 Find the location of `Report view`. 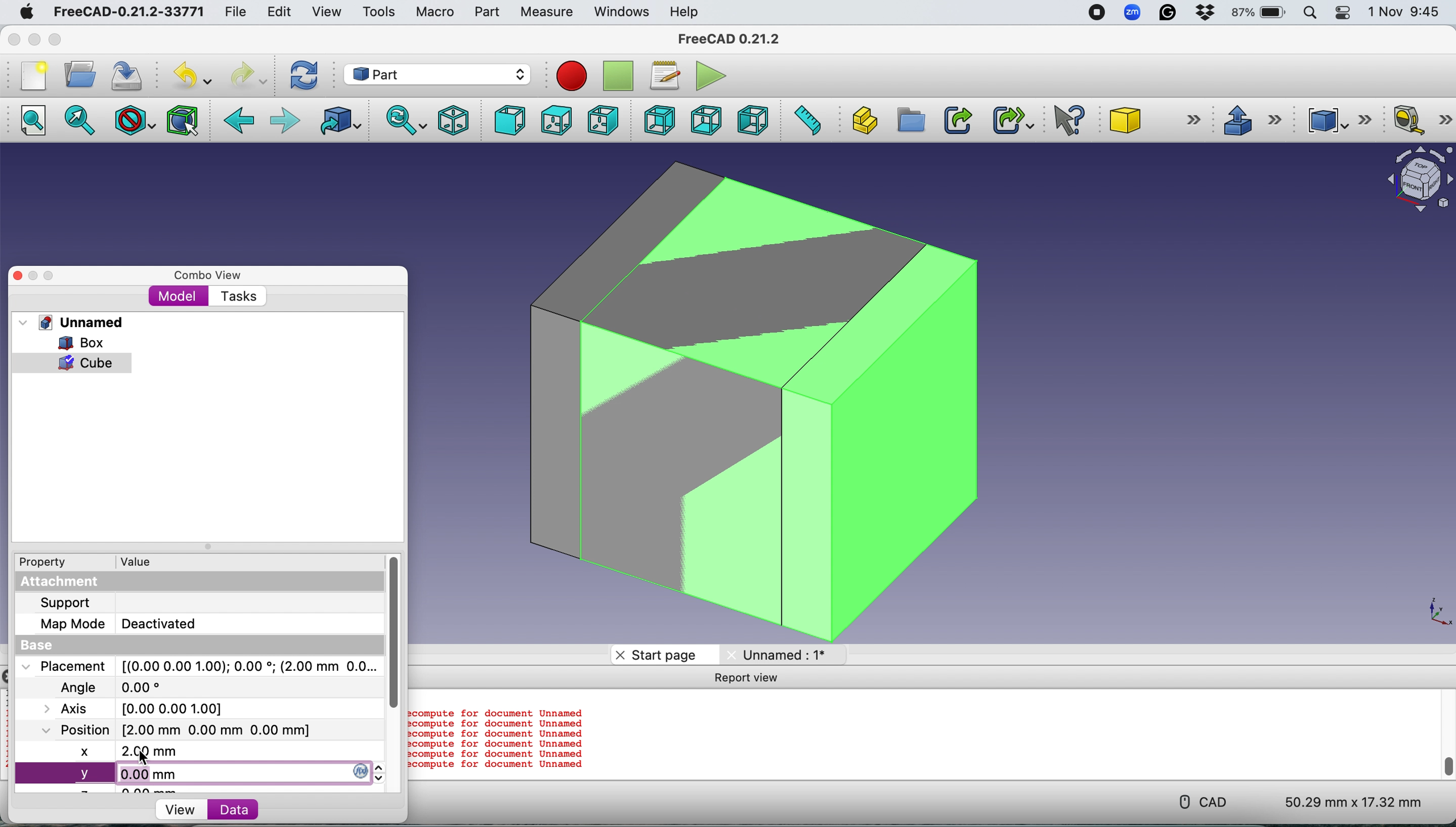

Report view is located at coordinates (748, 678).